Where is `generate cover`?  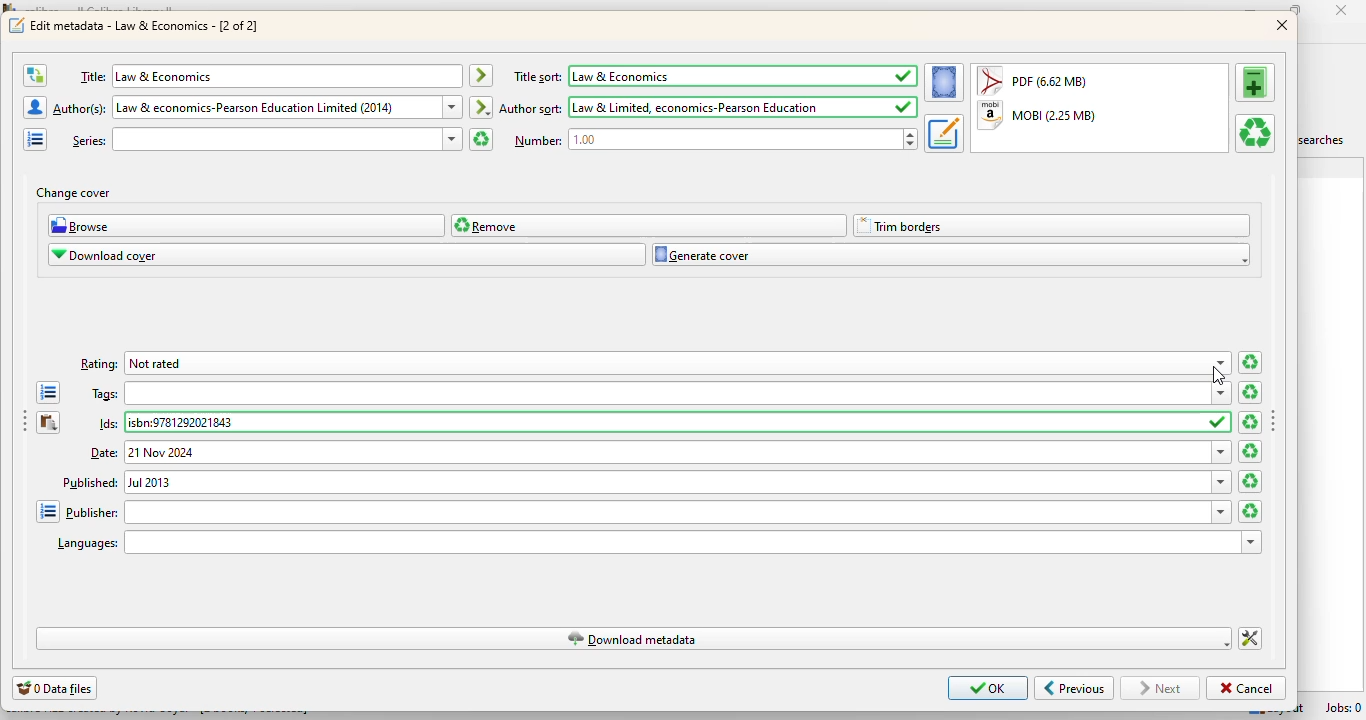
generate cover is located at coordinates (951, 255).